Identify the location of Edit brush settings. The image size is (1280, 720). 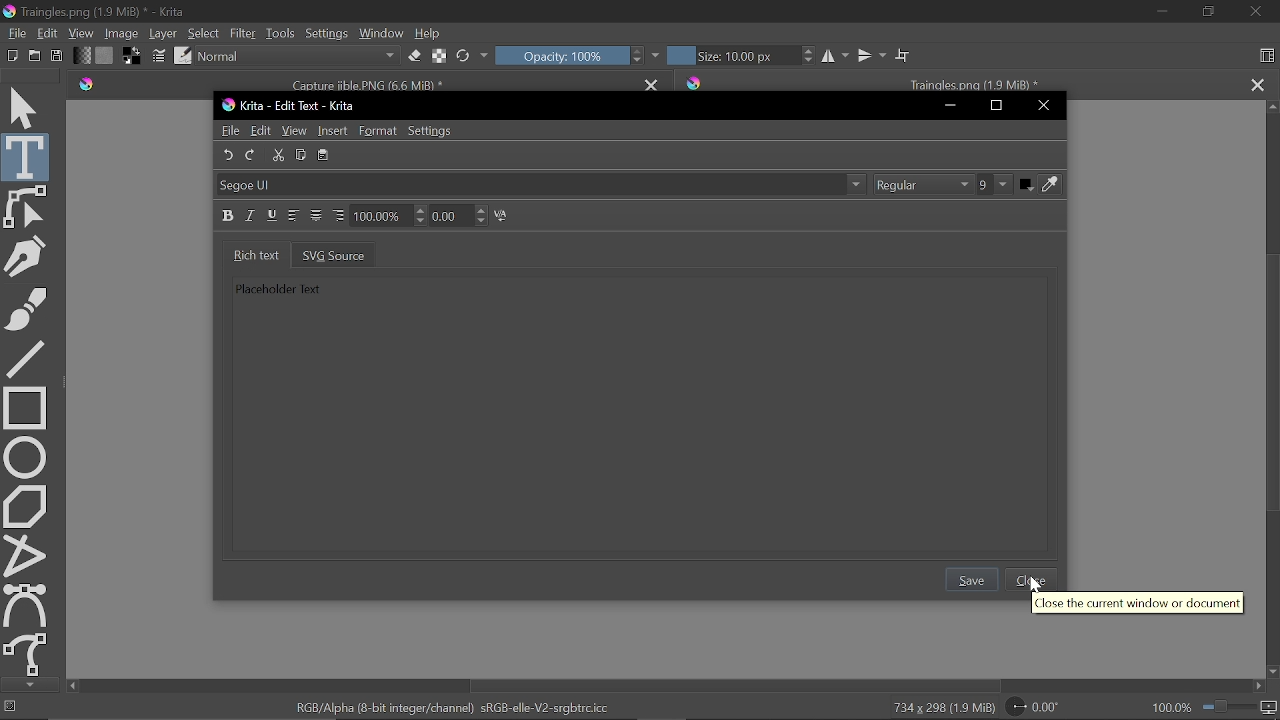
(438, 55).